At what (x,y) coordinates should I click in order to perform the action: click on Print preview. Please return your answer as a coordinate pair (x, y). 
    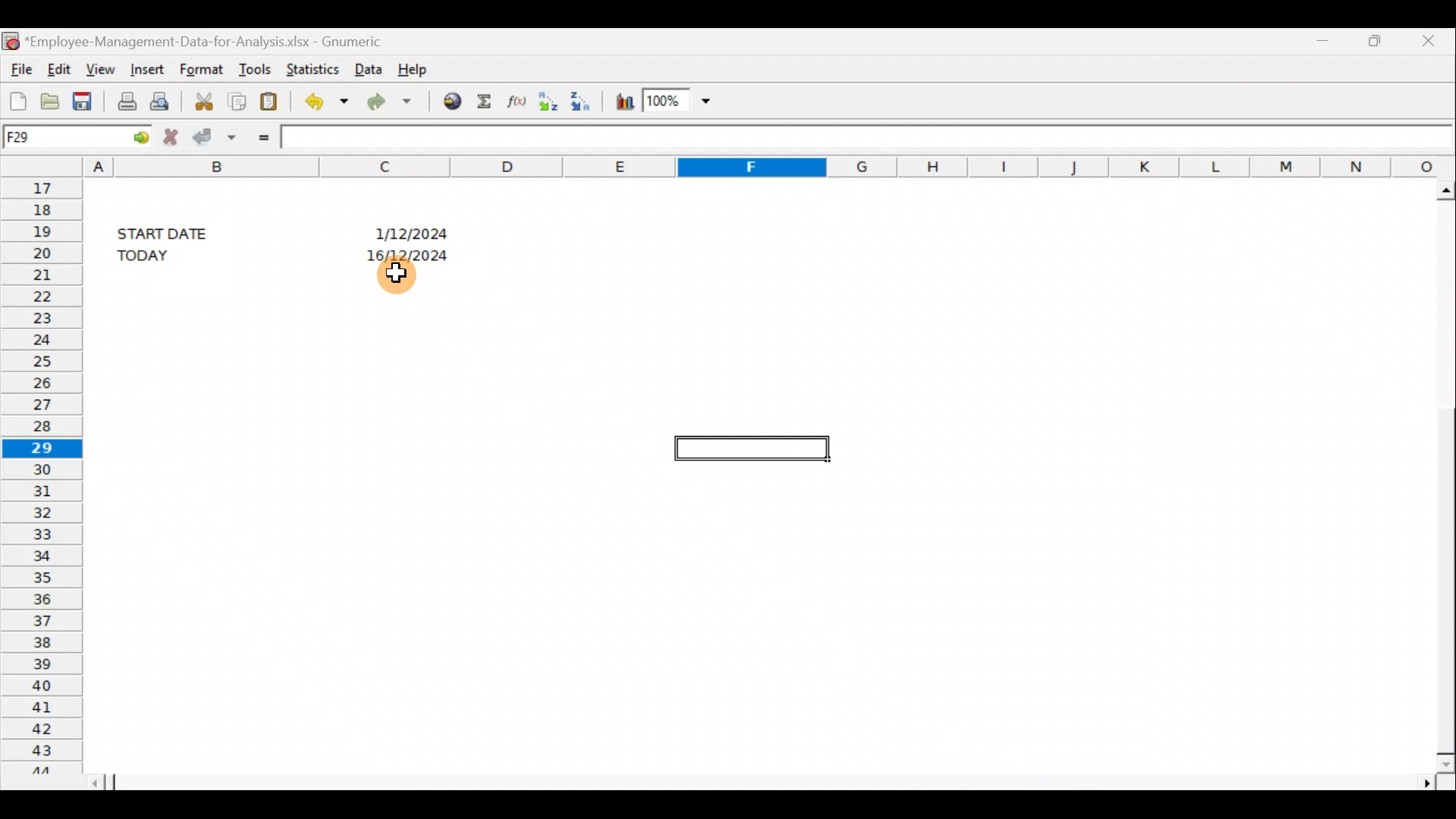
    Looking at the image, I should click on (165, 100).